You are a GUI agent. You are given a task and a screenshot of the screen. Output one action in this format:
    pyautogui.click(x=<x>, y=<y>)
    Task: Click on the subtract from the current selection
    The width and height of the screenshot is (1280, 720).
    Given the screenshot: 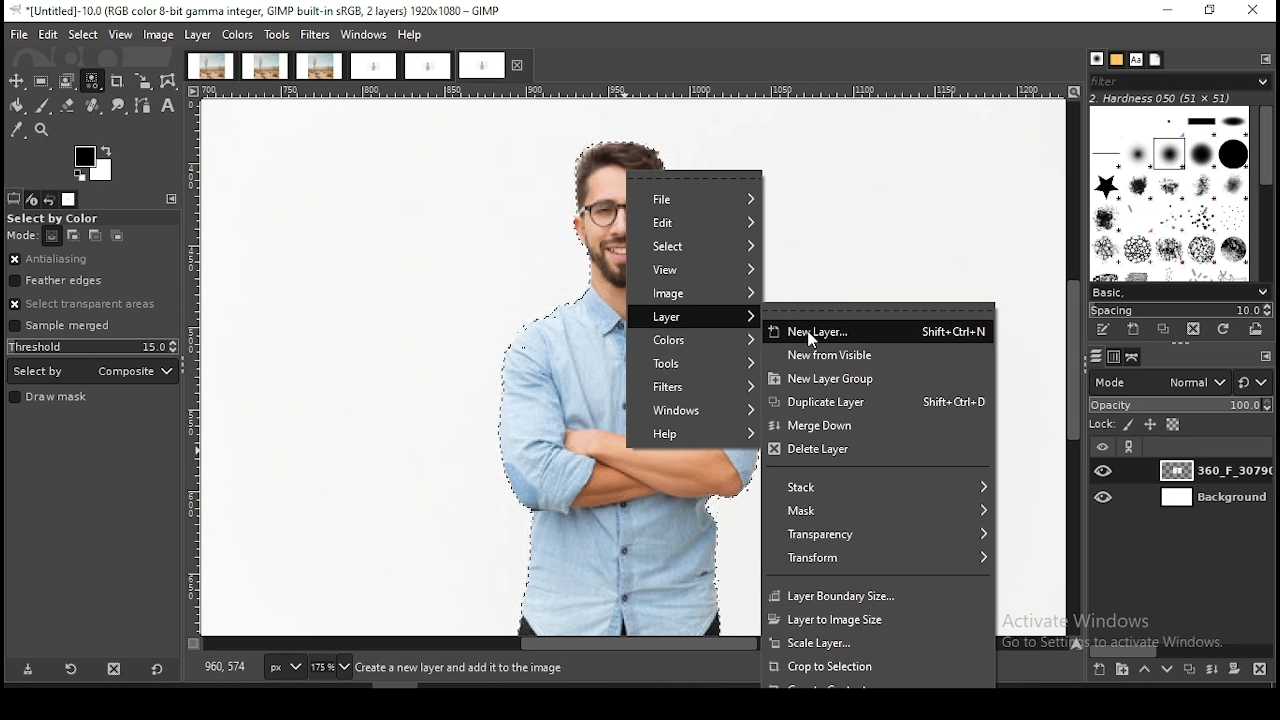 What is the action you would take?
    pyautogui.click(x=94, y=236)
    